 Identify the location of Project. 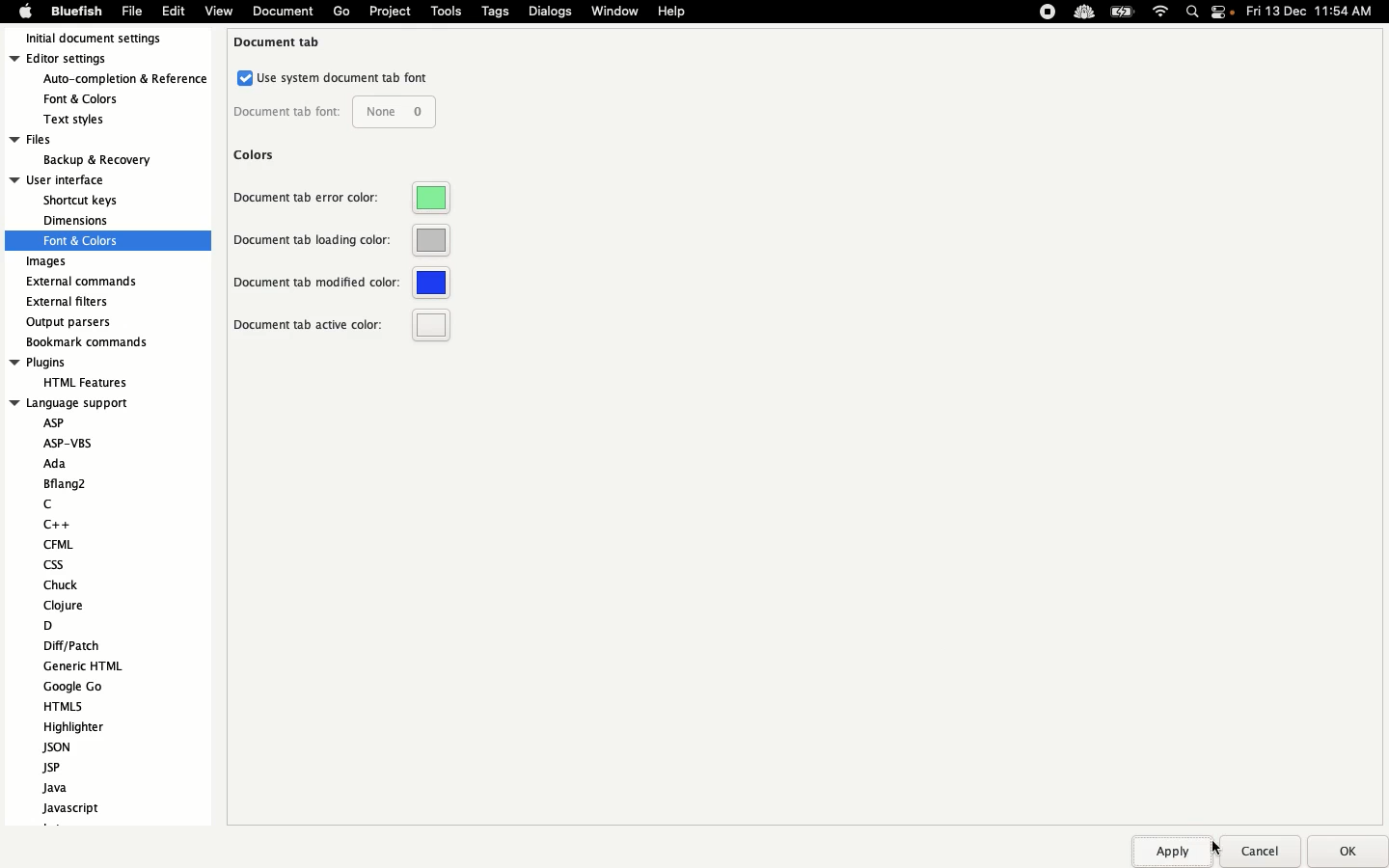
(389, 12).